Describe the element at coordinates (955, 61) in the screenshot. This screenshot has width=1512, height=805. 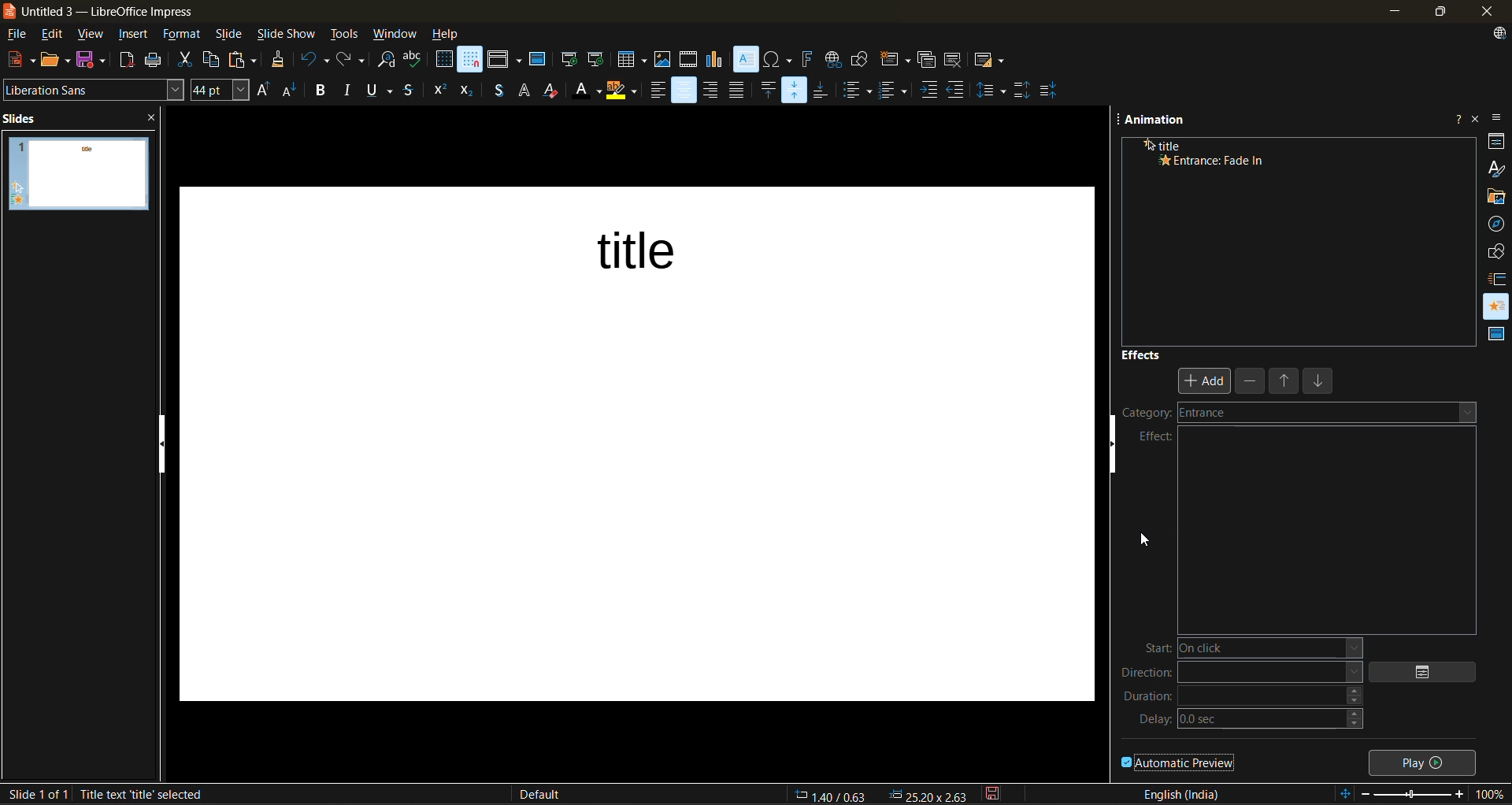
I see `delete slide` at that location.